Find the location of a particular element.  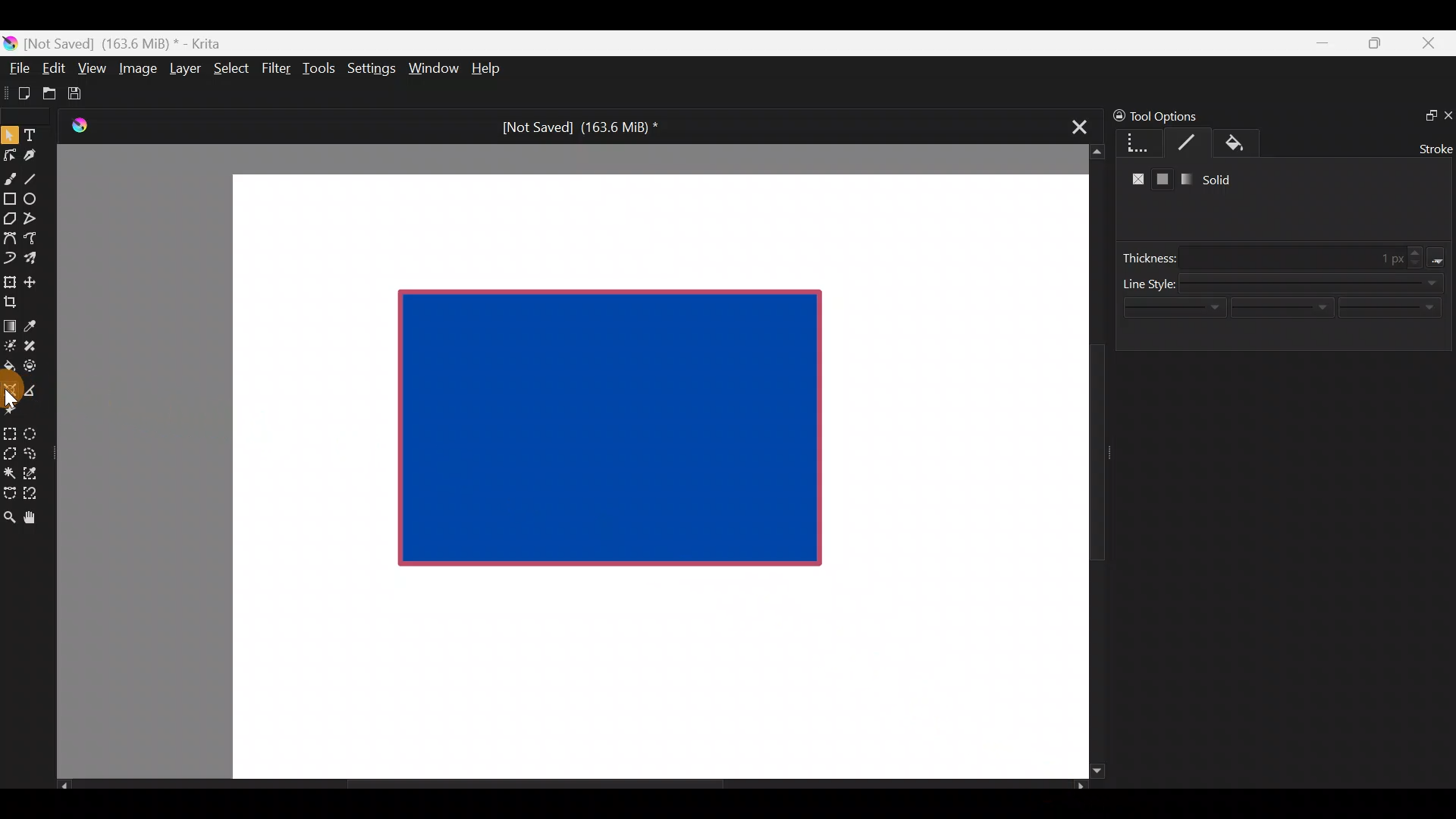

Elliptical selection tool is located at coordinates (36, 431).